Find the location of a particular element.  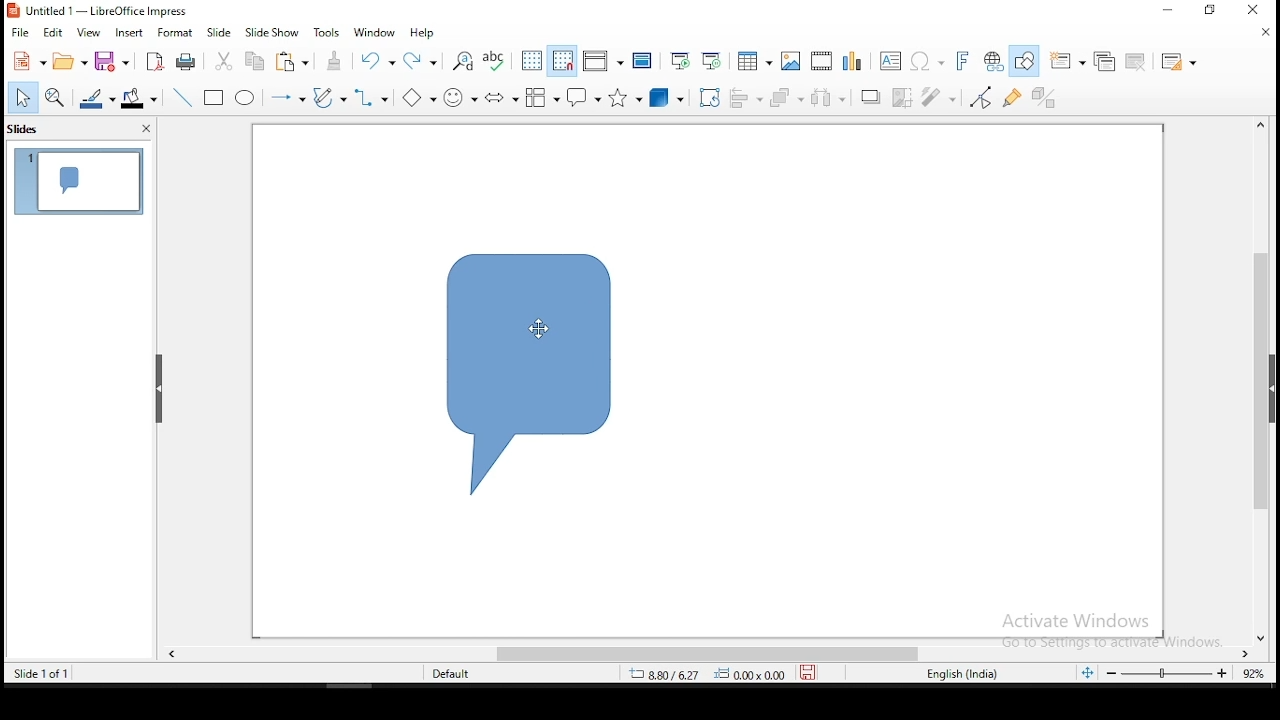

start from first slide is located at coordinates (679, 61).